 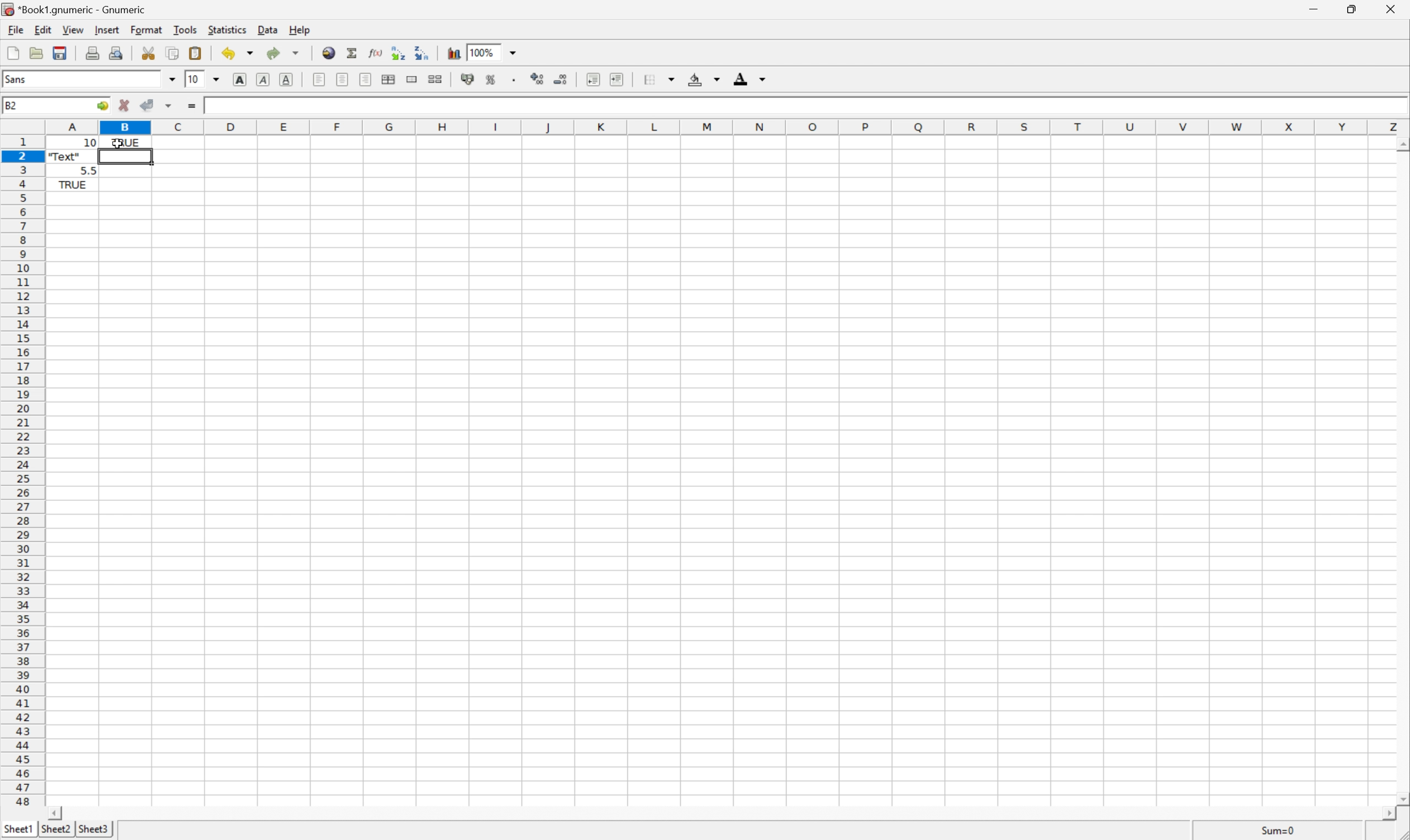 What do you see at coordinates (17, 78) in the screenshot?
I see `Sans` at bounding box center [17, 78].